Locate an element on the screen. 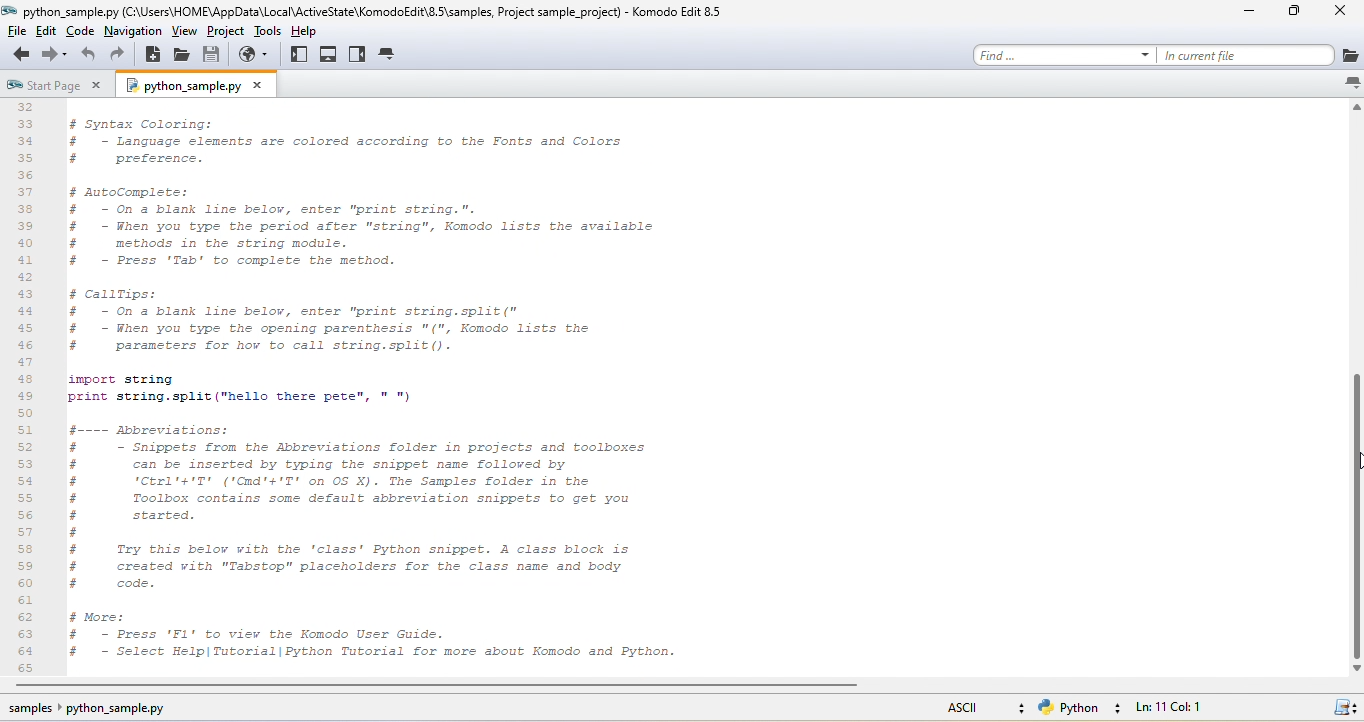 This screenshot has height=722, width=1364. project is located at coordinates (225, 34).